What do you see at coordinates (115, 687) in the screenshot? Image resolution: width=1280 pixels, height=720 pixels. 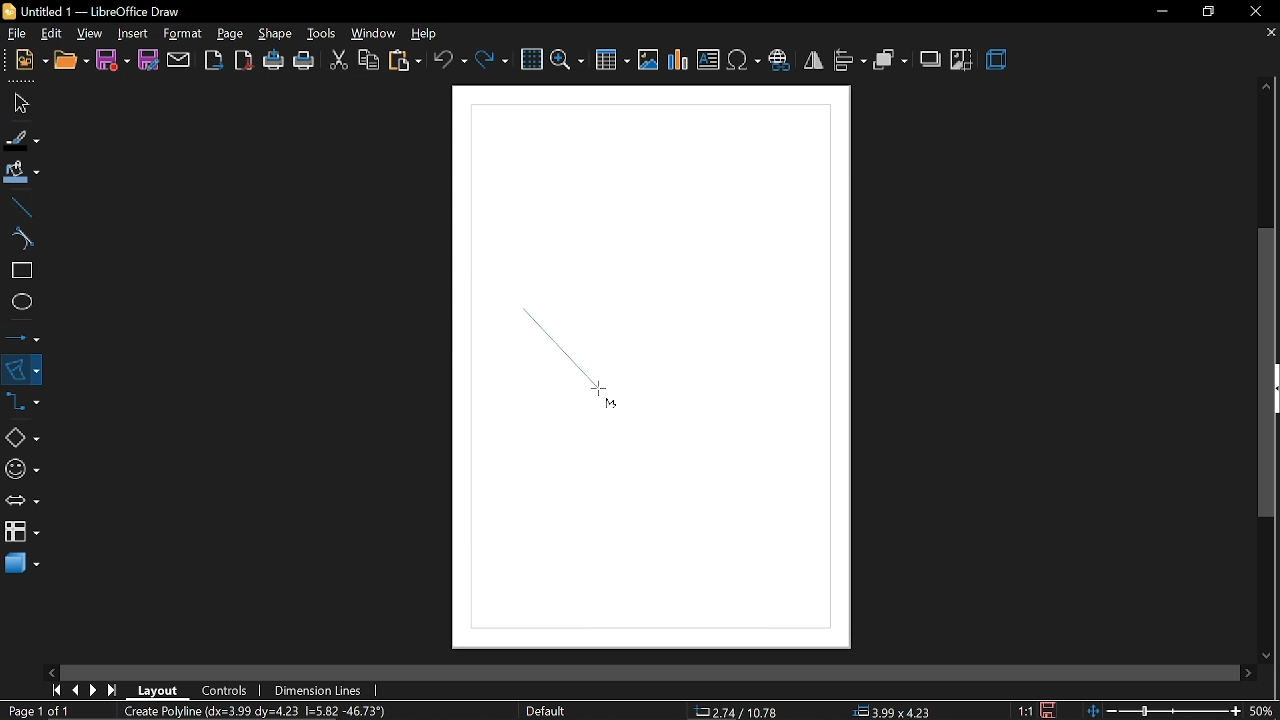 I see `go to last page` at bounding box center [115, 687].